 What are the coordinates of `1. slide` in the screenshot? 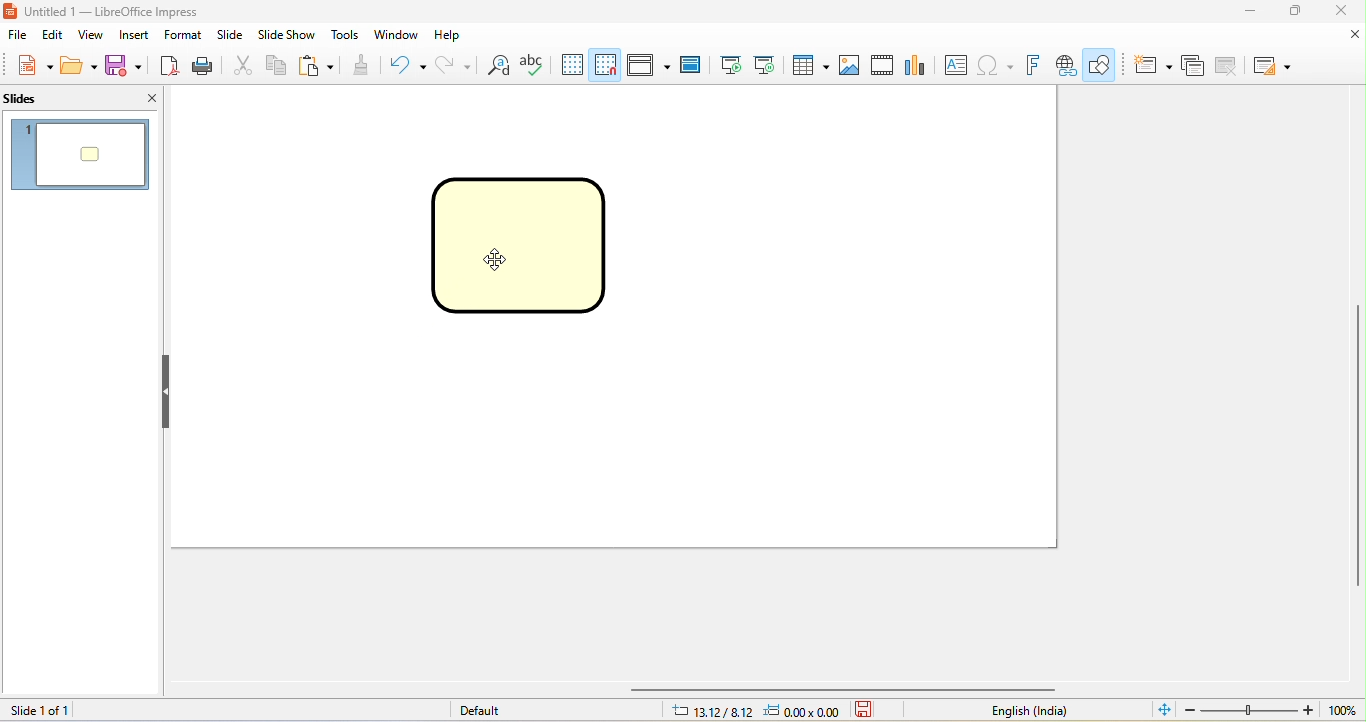 It's located at (79, 154).